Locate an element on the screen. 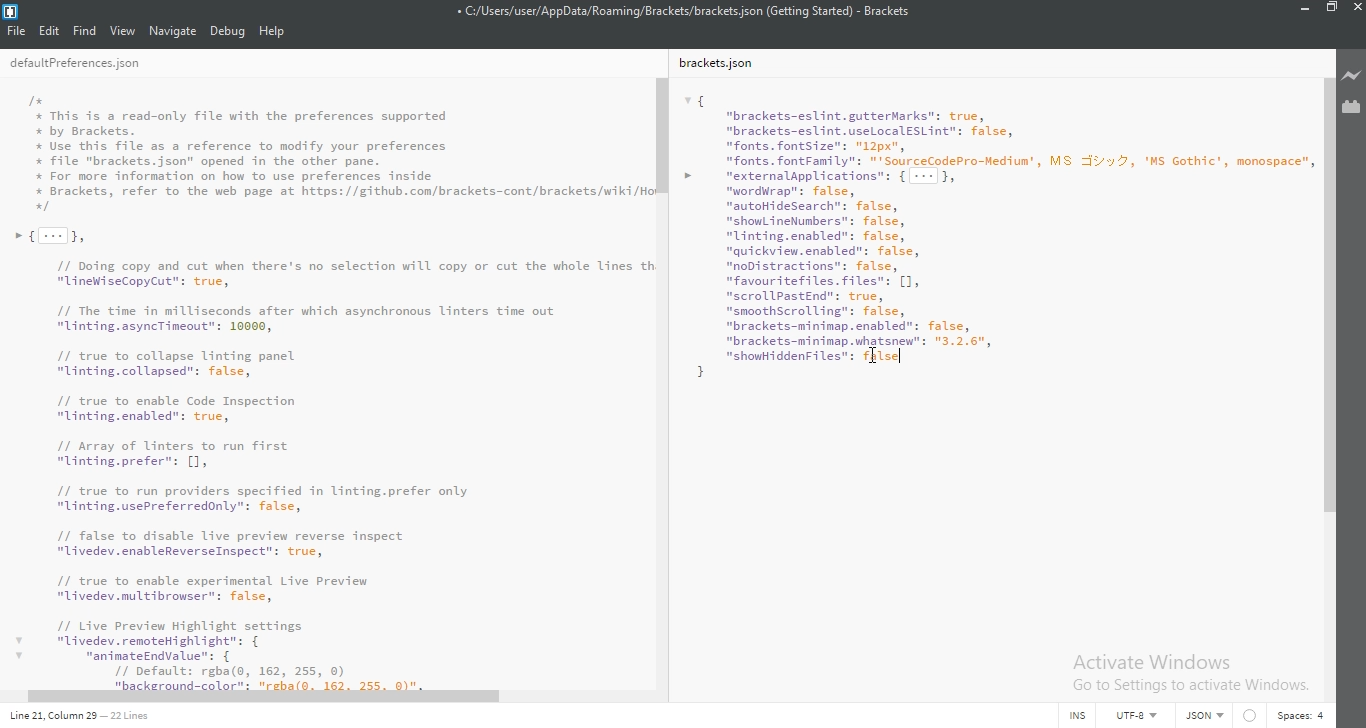 Image resolution: width=1366 pixels, height=728 pixels. debug is located at coordinates (228, 30).